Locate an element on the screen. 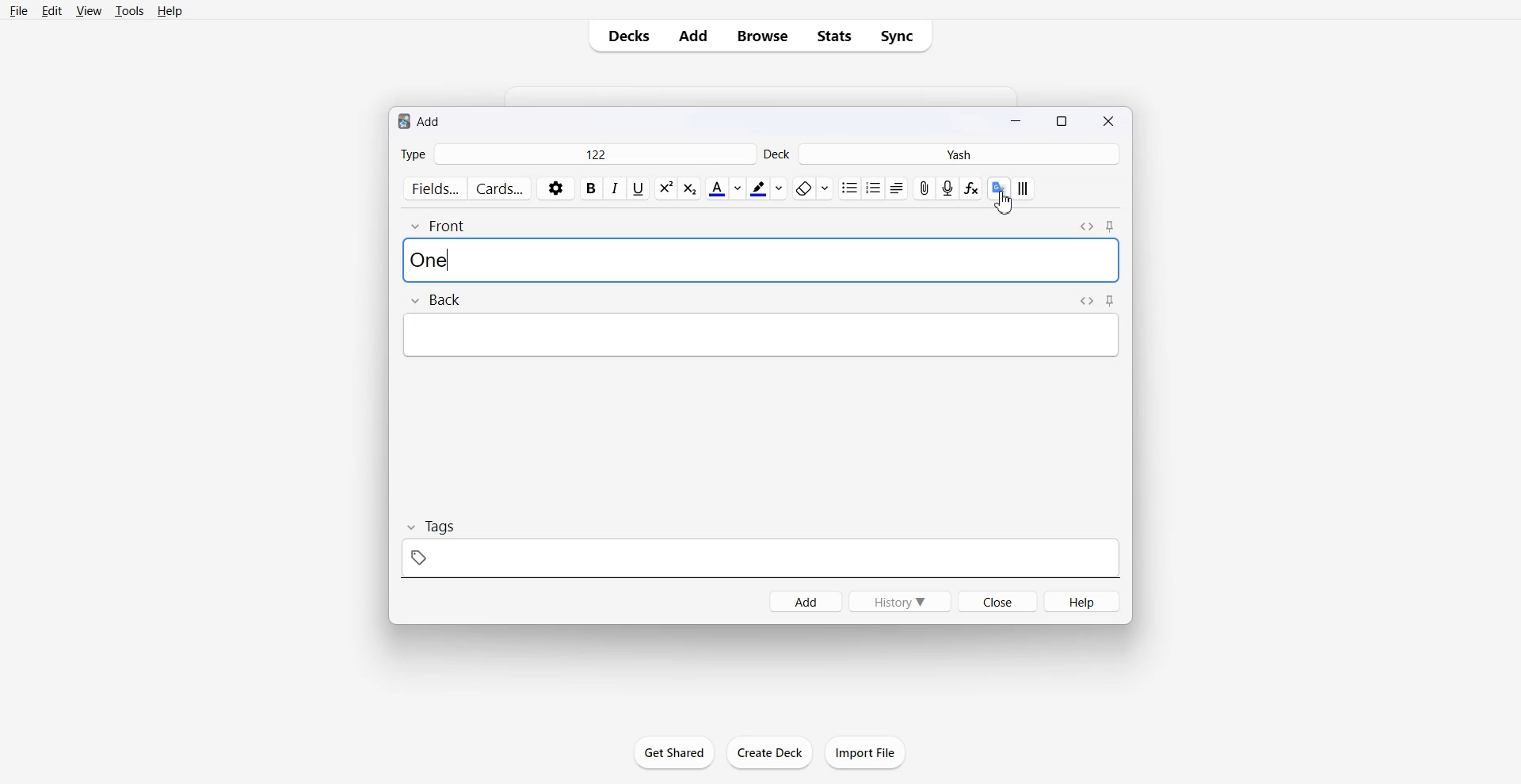  Text is located at coordinates (434, 259).